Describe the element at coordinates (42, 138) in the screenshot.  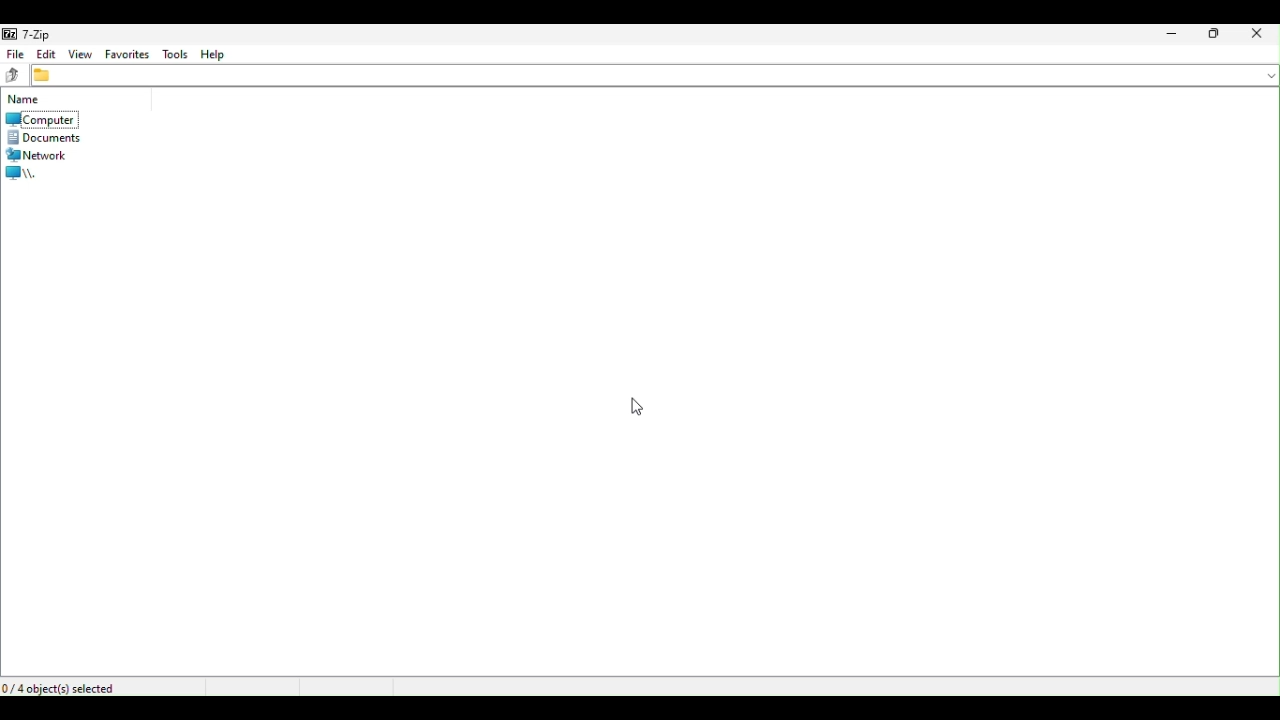
I see `Documents` at that location.